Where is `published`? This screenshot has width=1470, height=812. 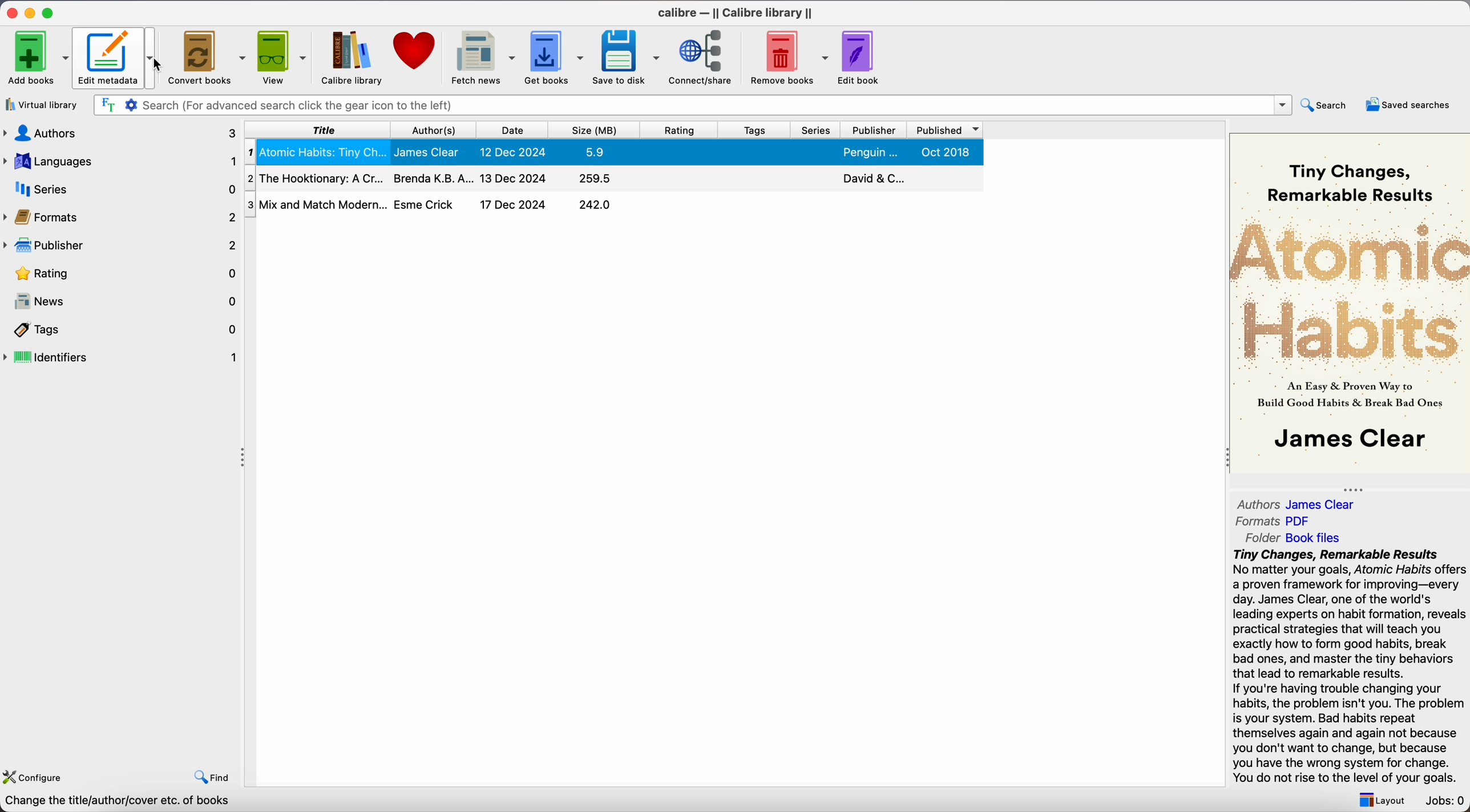 published is located at coordinates (943, 130).